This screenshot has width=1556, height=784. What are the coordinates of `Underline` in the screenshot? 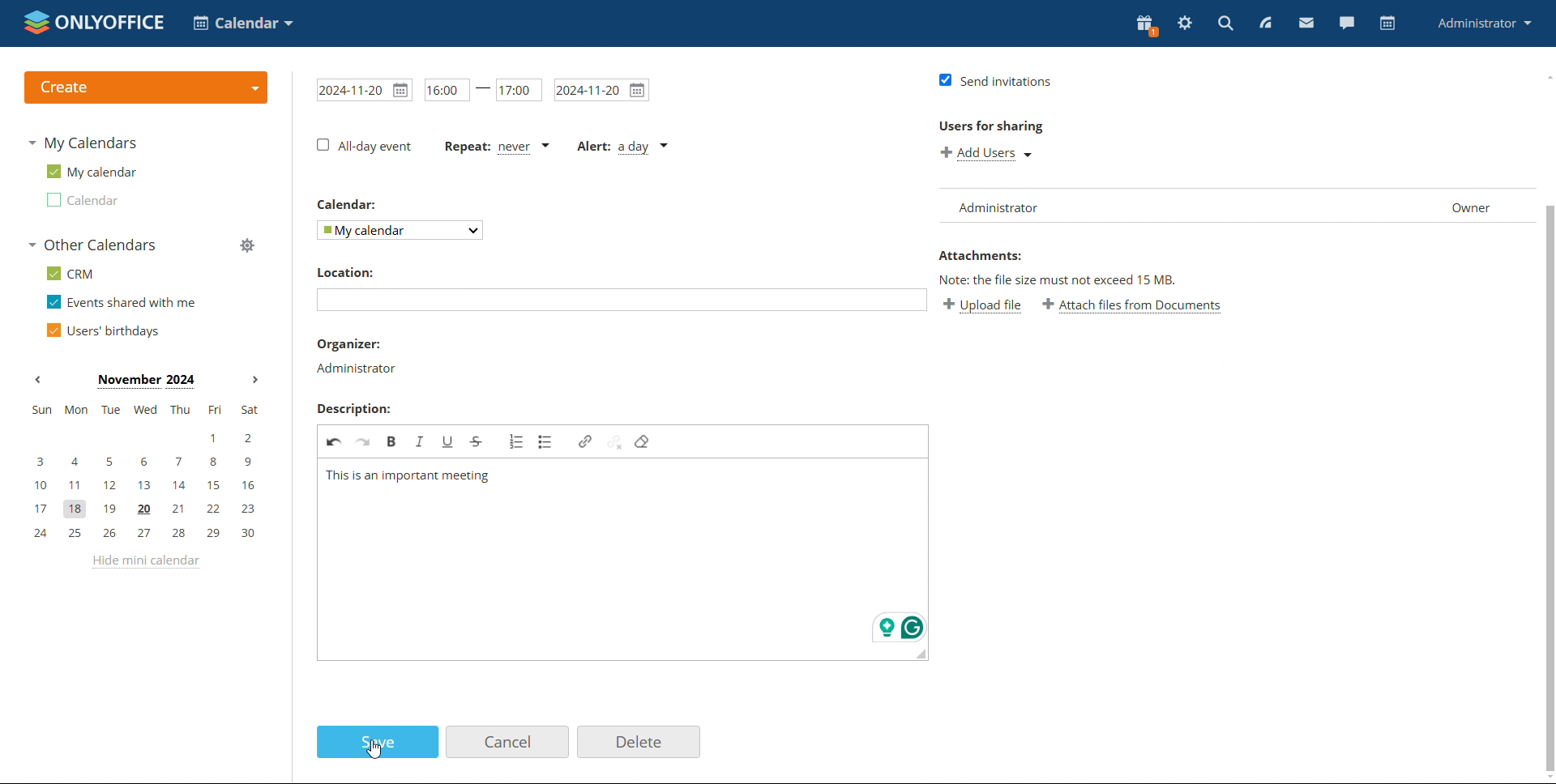 It's located at (448, 441).